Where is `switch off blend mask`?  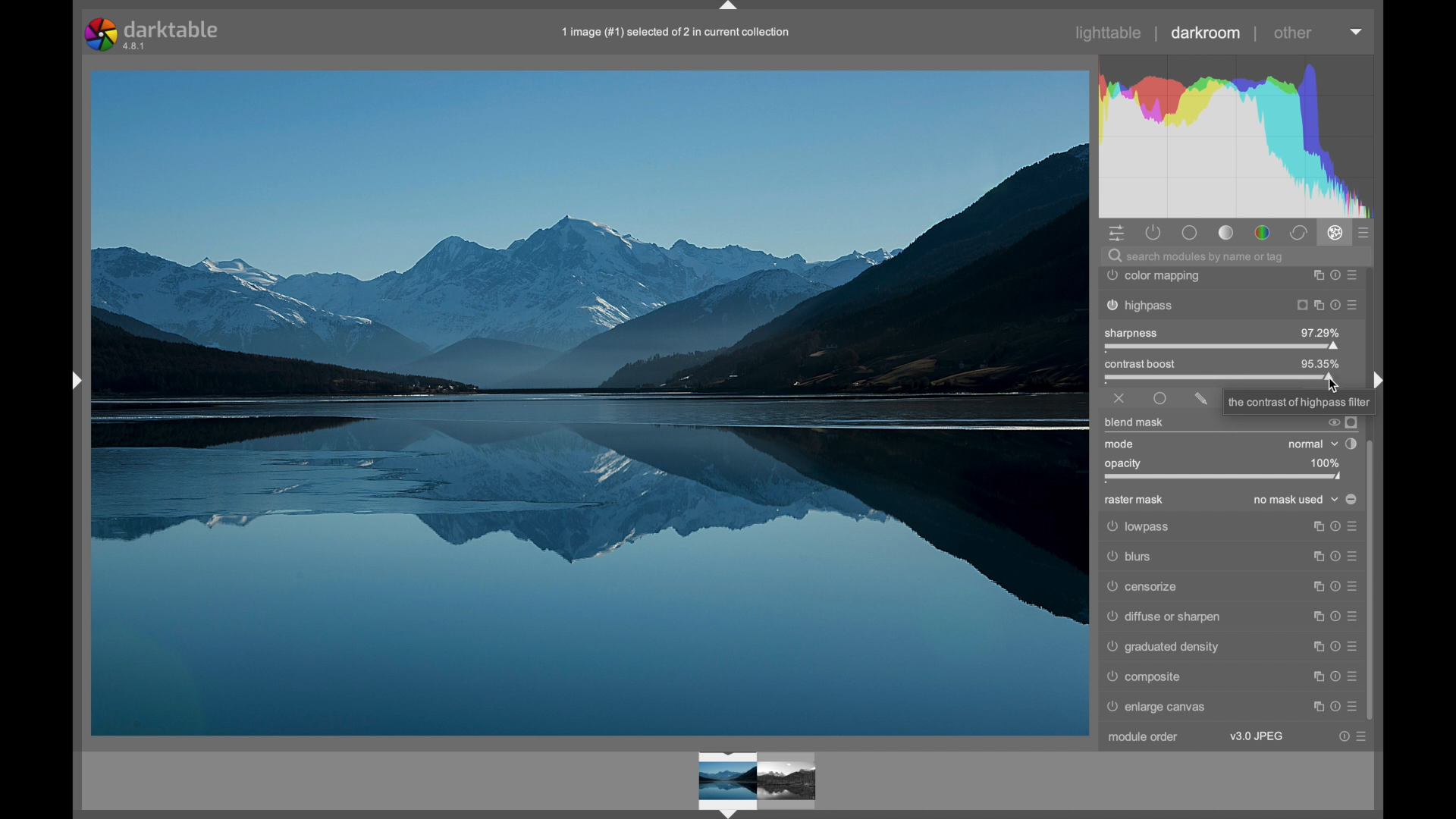
switch off blend mask is located at coordinates (1332, 424).